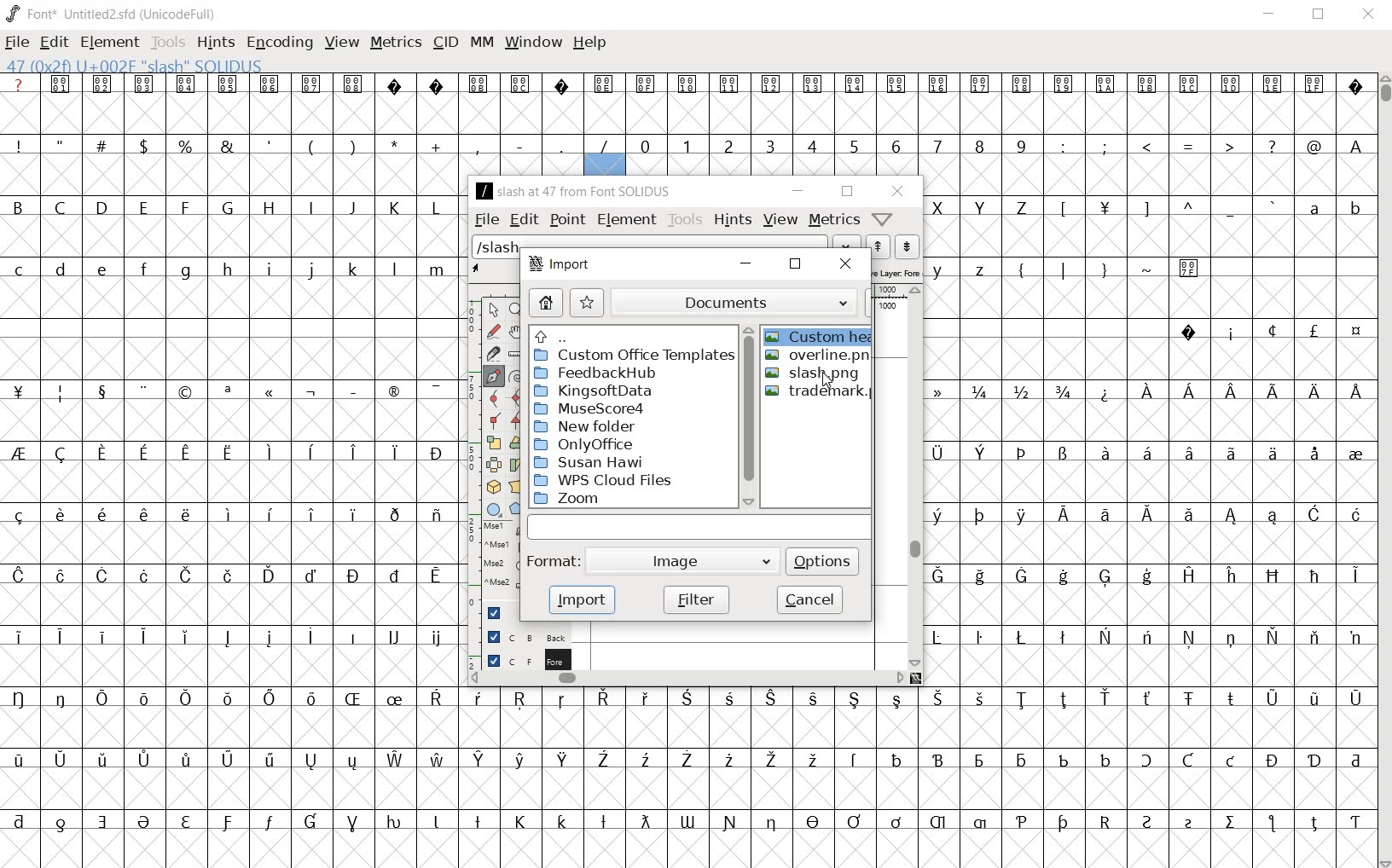 This screenshot has width=1392, height=868. Describe the element at coordinates (491, 356) in the screenshot. I see `cut splines in two` at that location.